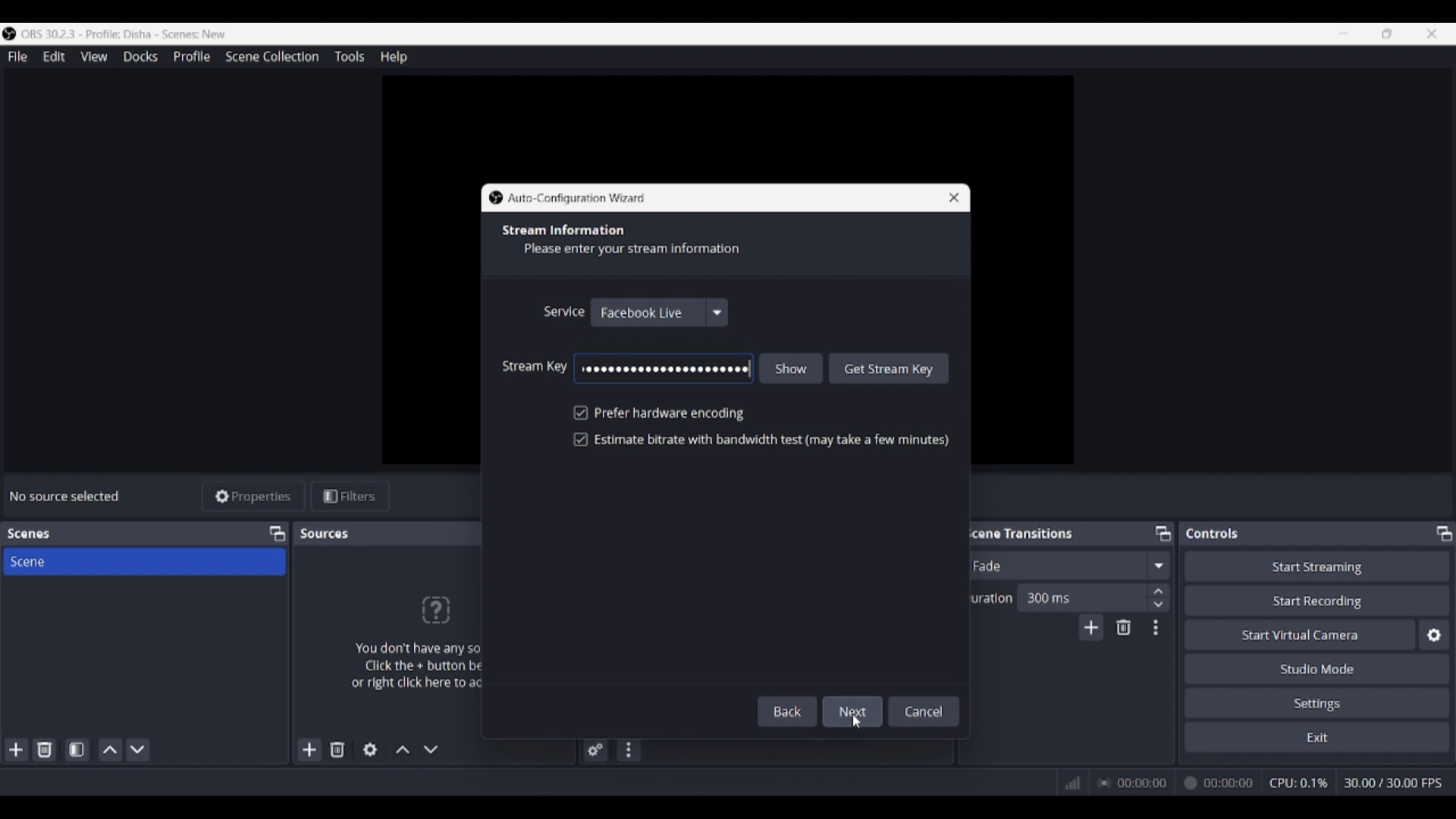  Describe the element at coordinates (535, 366) in the screenshot. I see `Indicates stream key text box` at that location.